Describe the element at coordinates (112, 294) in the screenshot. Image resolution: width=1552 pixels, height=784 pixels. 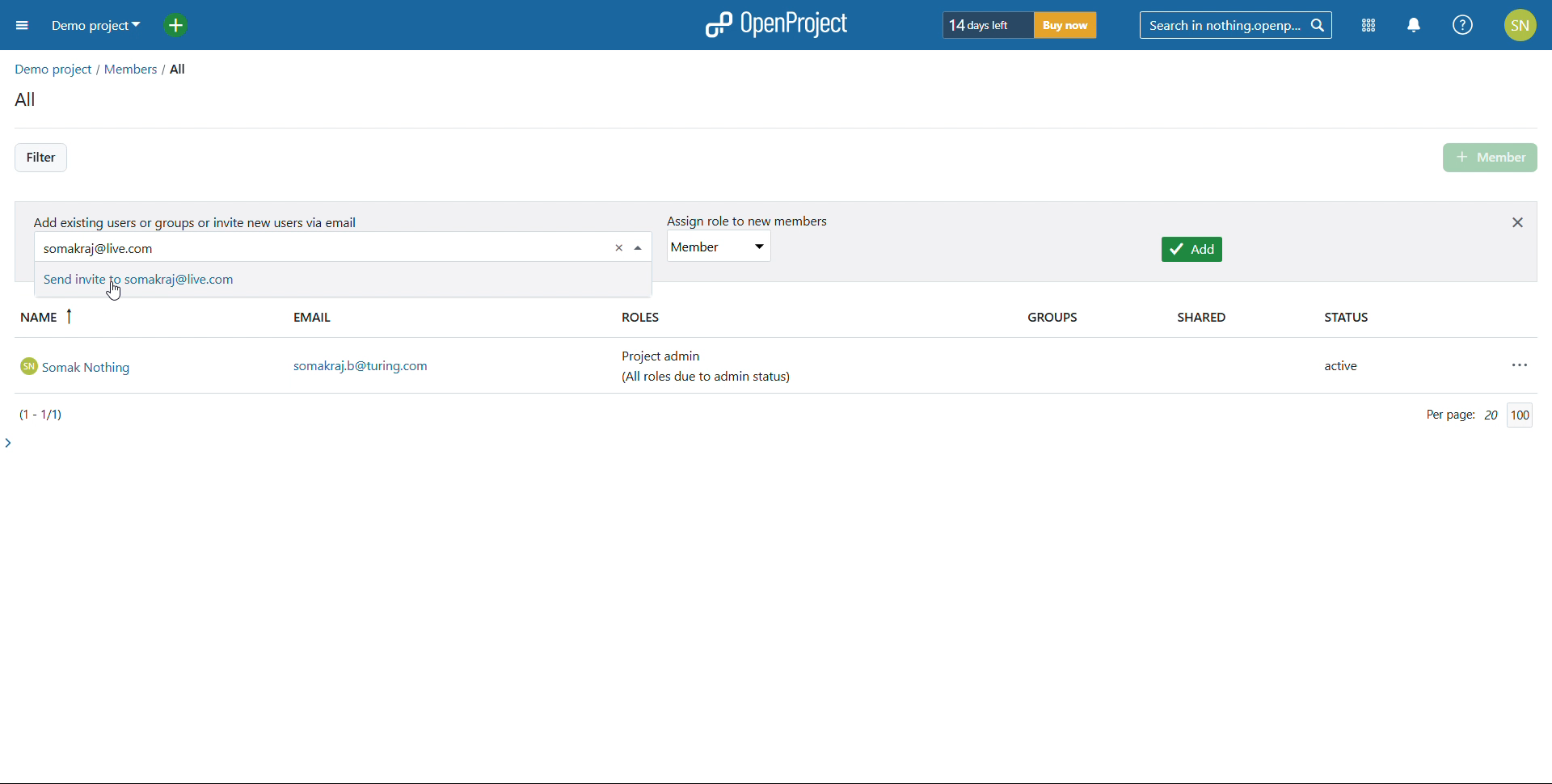
I see `cursor` at that location.